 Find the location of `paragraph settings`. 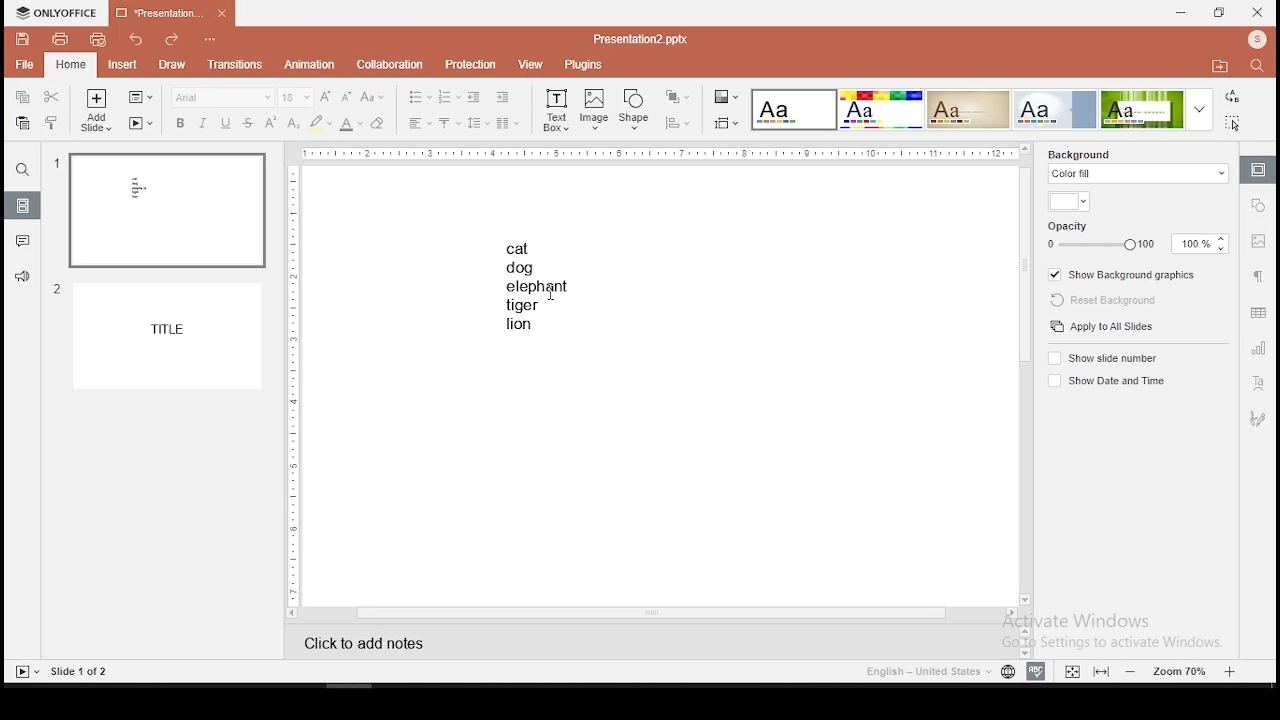

paragraph settings is located at coordinates (1257, 276).